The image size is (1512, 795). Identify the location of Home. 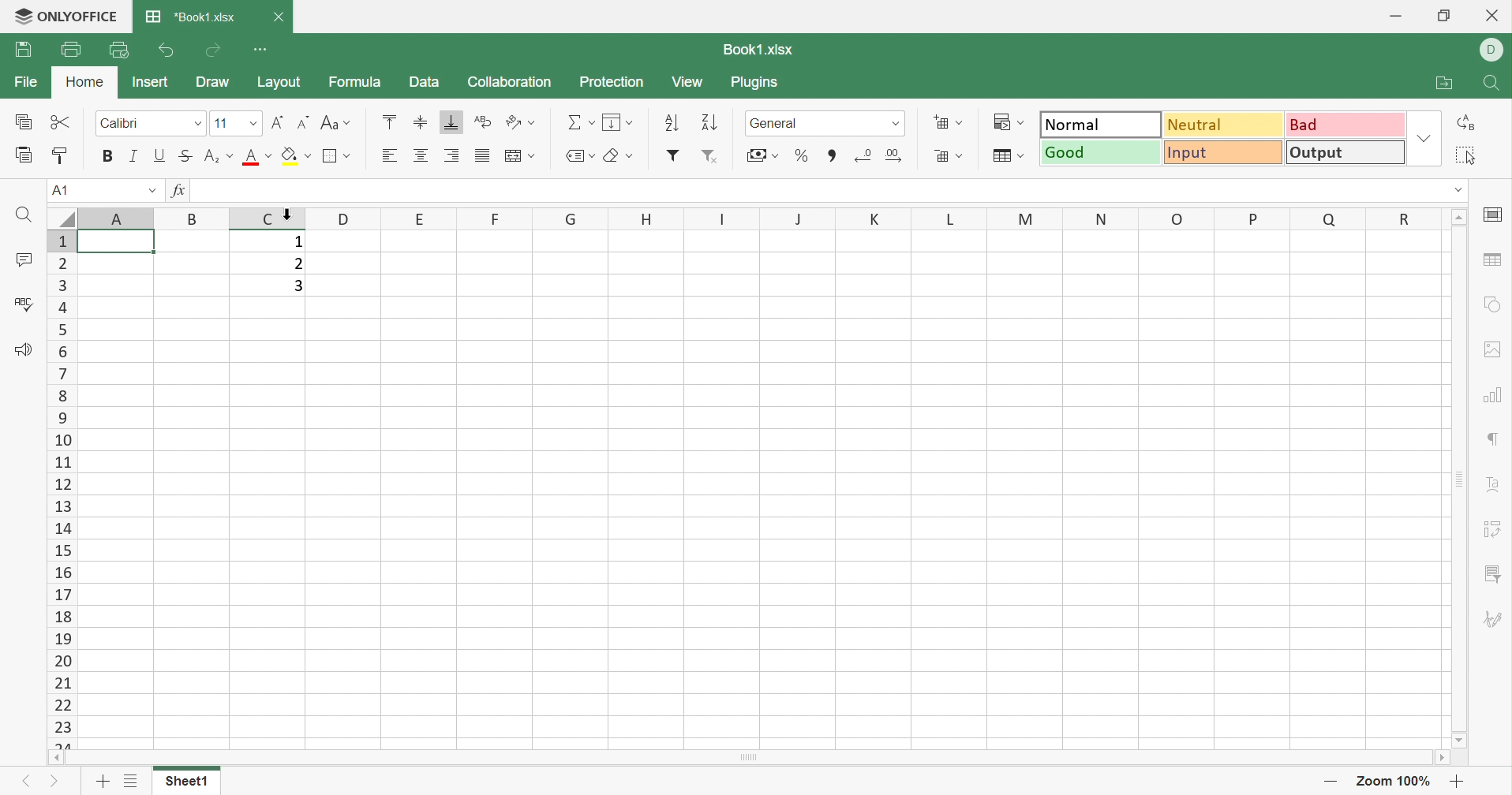
(87, 81).